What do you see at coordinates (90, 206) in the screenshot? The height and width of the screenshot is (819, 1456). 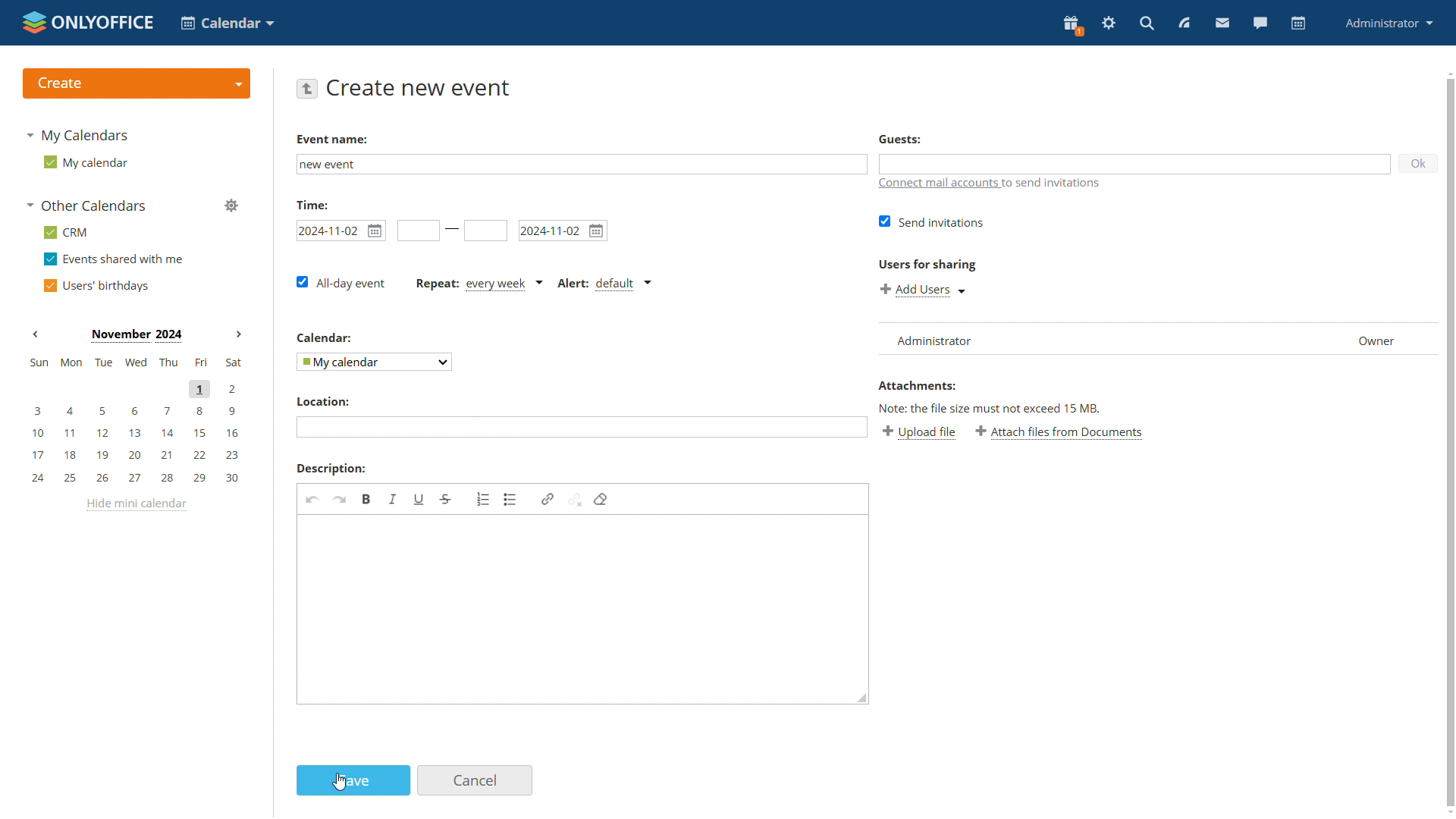 I see `other calendars` at bounding box center [90, 206].